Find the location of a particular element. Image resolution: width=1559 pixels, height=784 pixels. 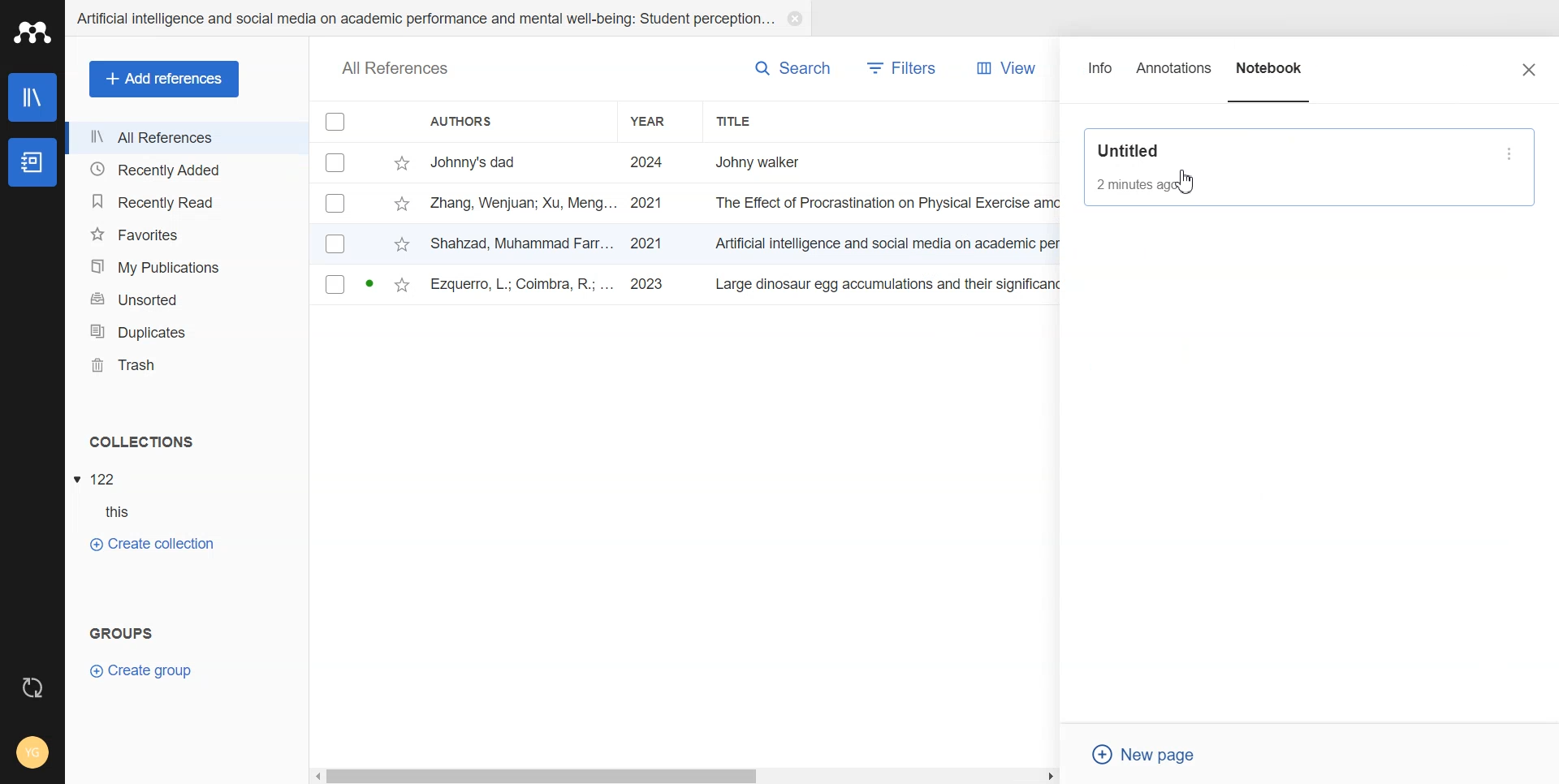

2023 is located at coordinates (650, 285).